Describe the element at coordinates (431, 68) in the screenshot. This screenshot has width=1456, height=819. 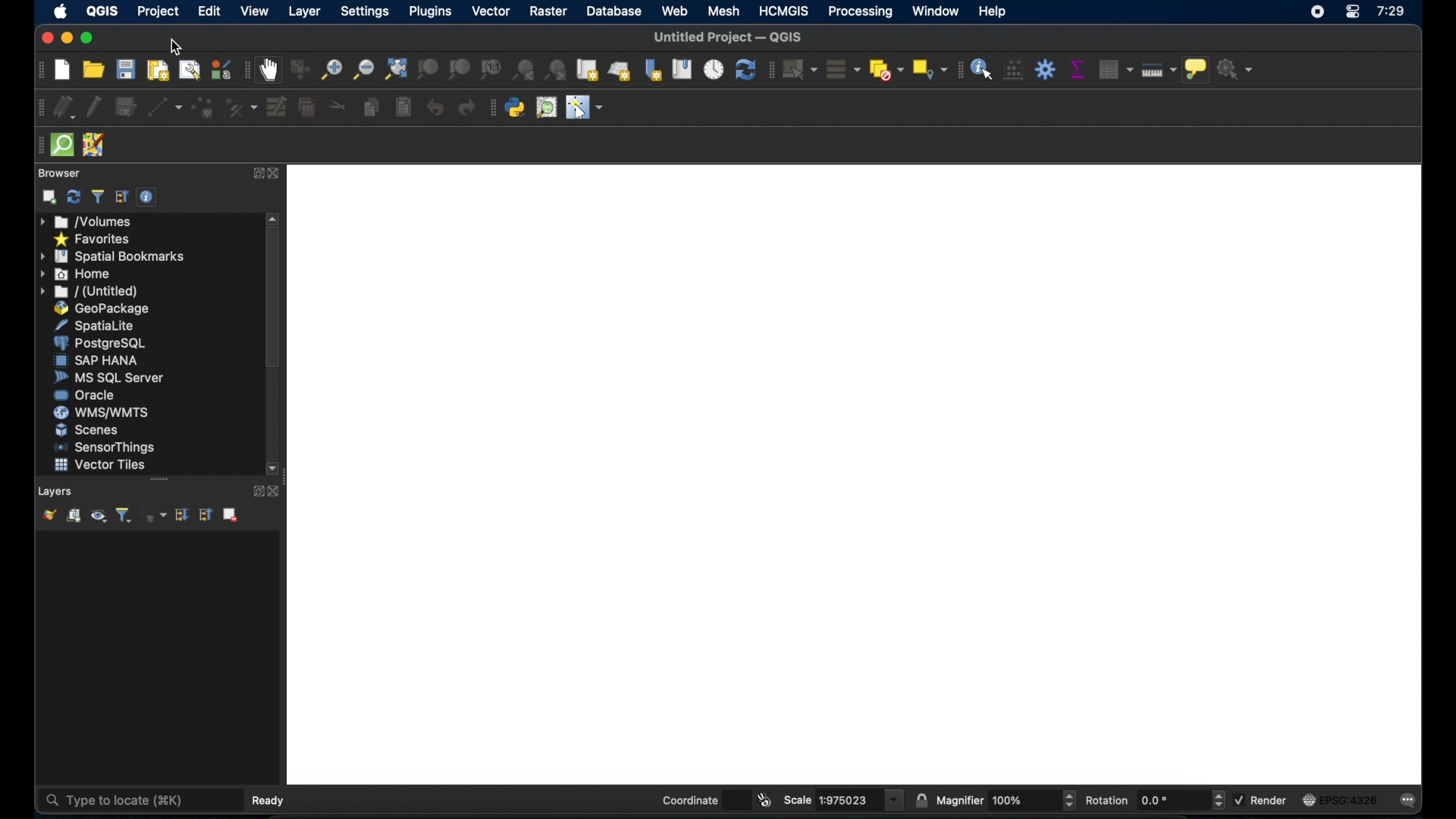
I see `zoom to selection` at that location.